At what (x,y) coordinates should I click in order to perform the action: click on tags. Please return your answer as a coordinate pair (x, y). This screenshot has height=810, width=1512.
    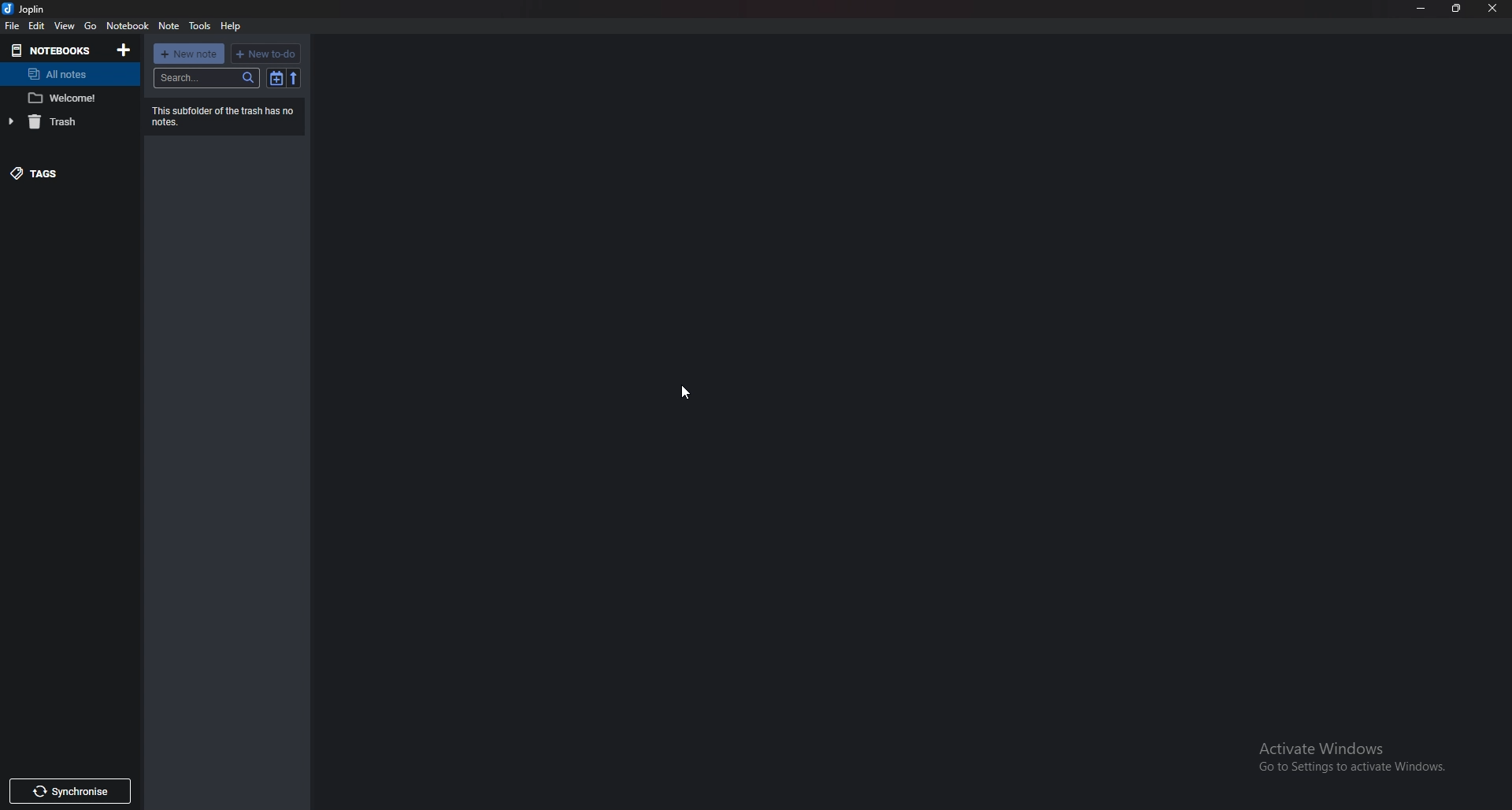
    Looking at the image, I should click on (60, 173).